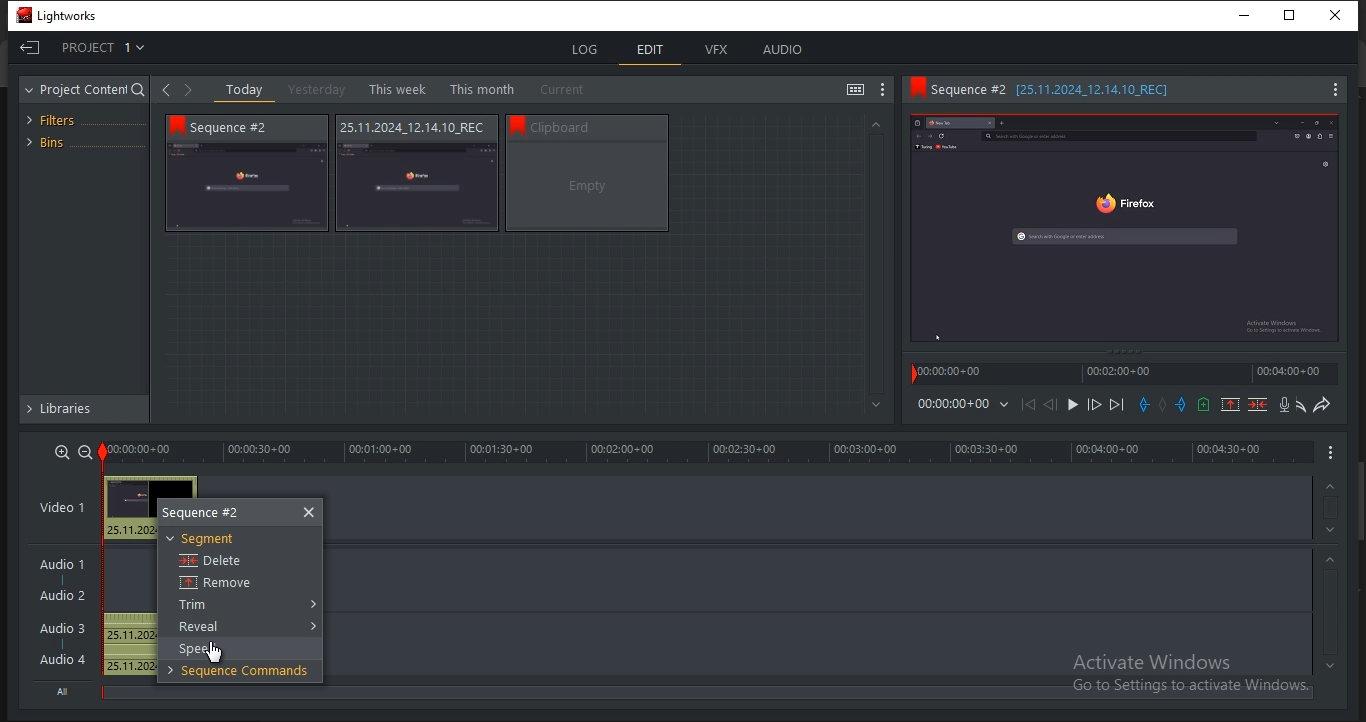 The height and width of the screenshot is (722, 1366). I want to click on Audio 3, so click(61, 629).